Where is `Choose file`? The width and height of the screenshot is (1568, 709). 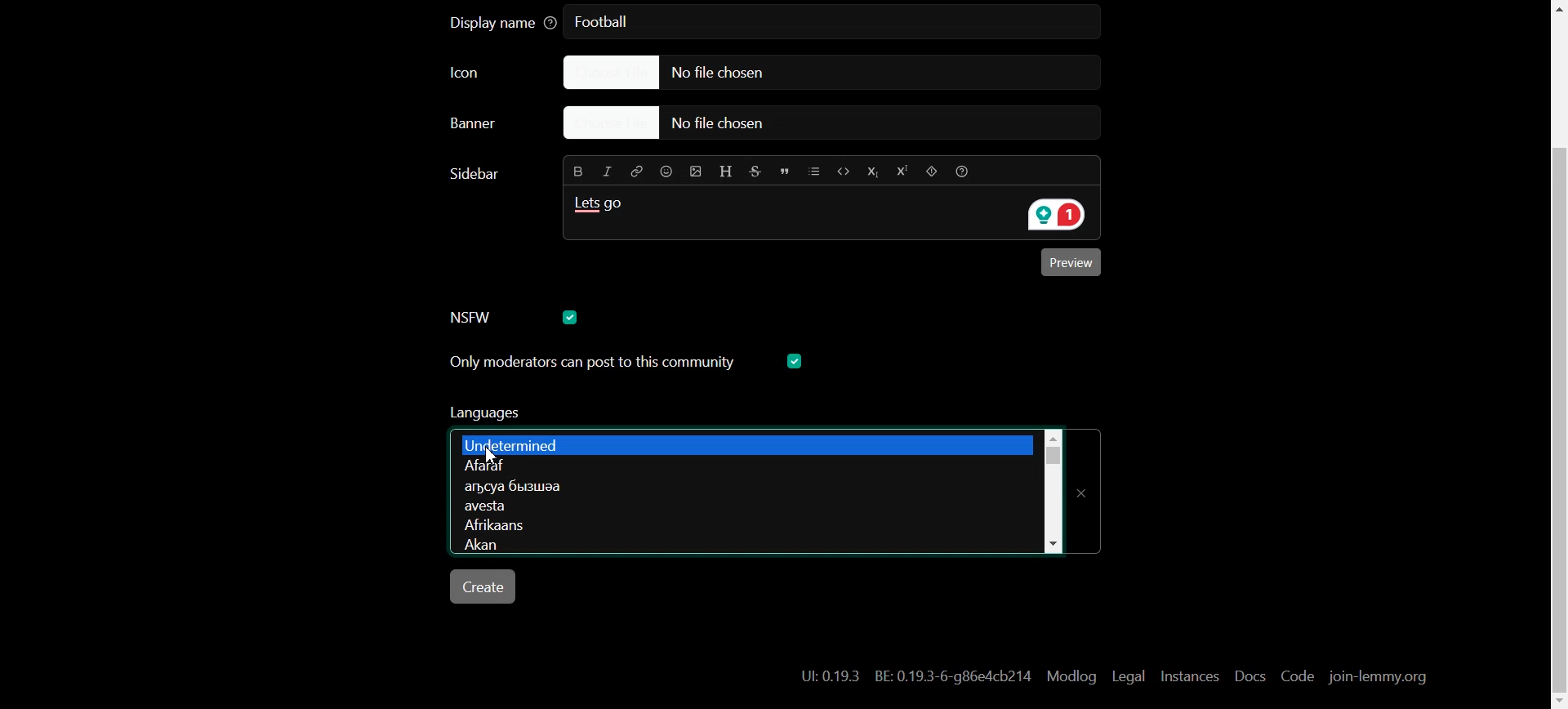 Choose file is located at coordinates (835, 124).